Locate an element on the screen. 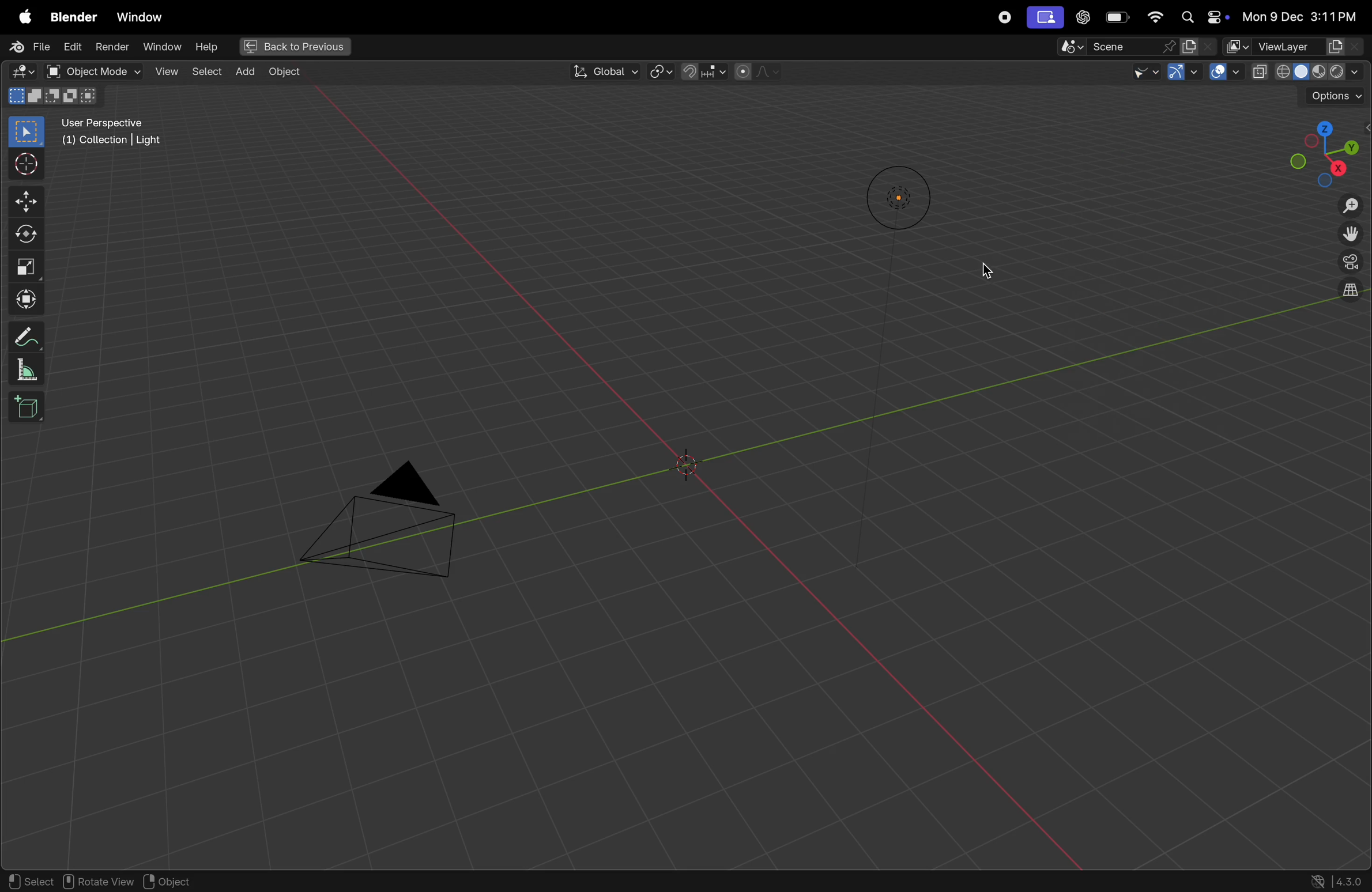  Window is located at coordinates (144, 18).